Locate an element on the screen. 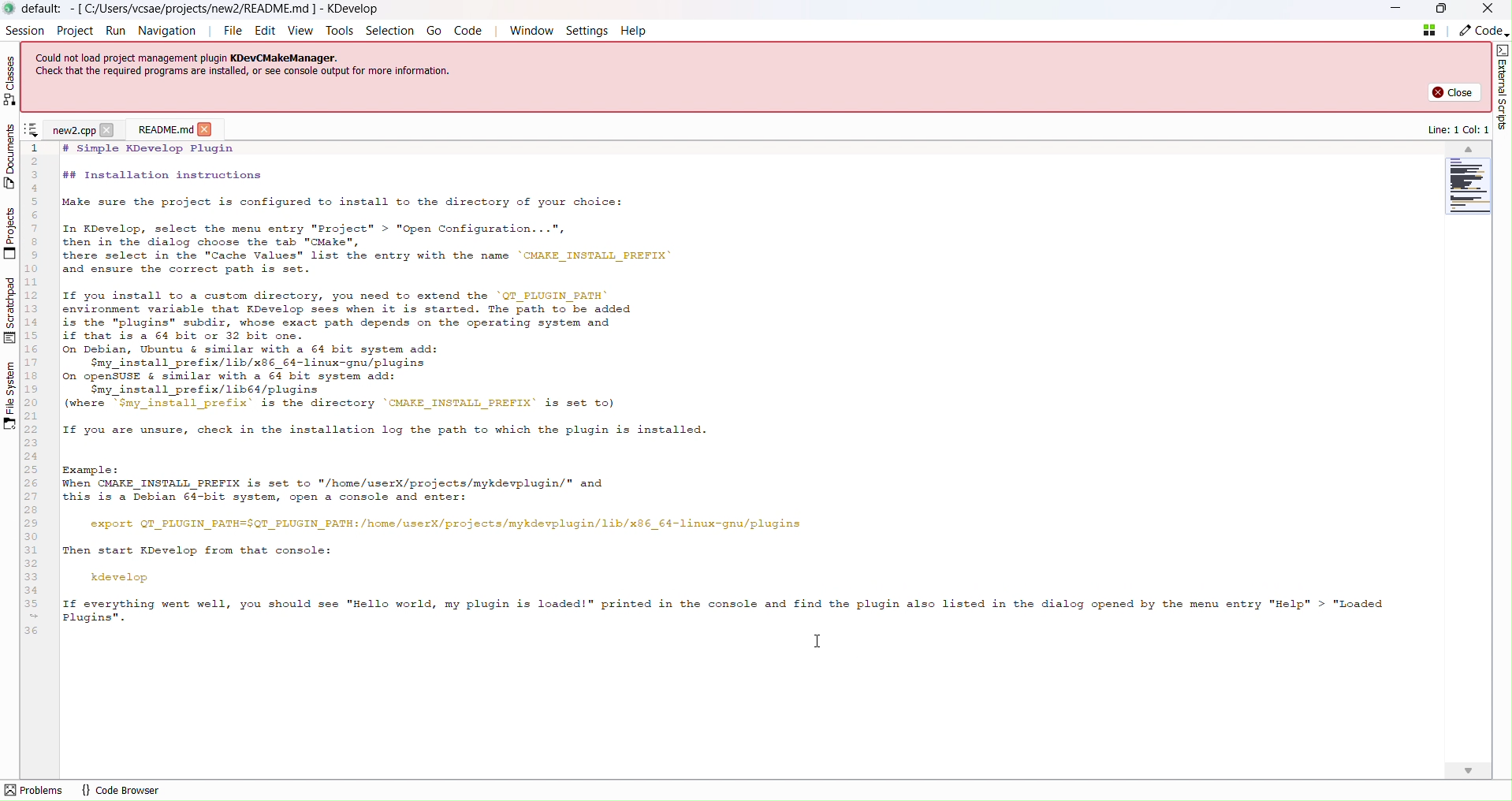 This screenshot has height=801, width=1512. Projects is located at coordinates (13, 233).